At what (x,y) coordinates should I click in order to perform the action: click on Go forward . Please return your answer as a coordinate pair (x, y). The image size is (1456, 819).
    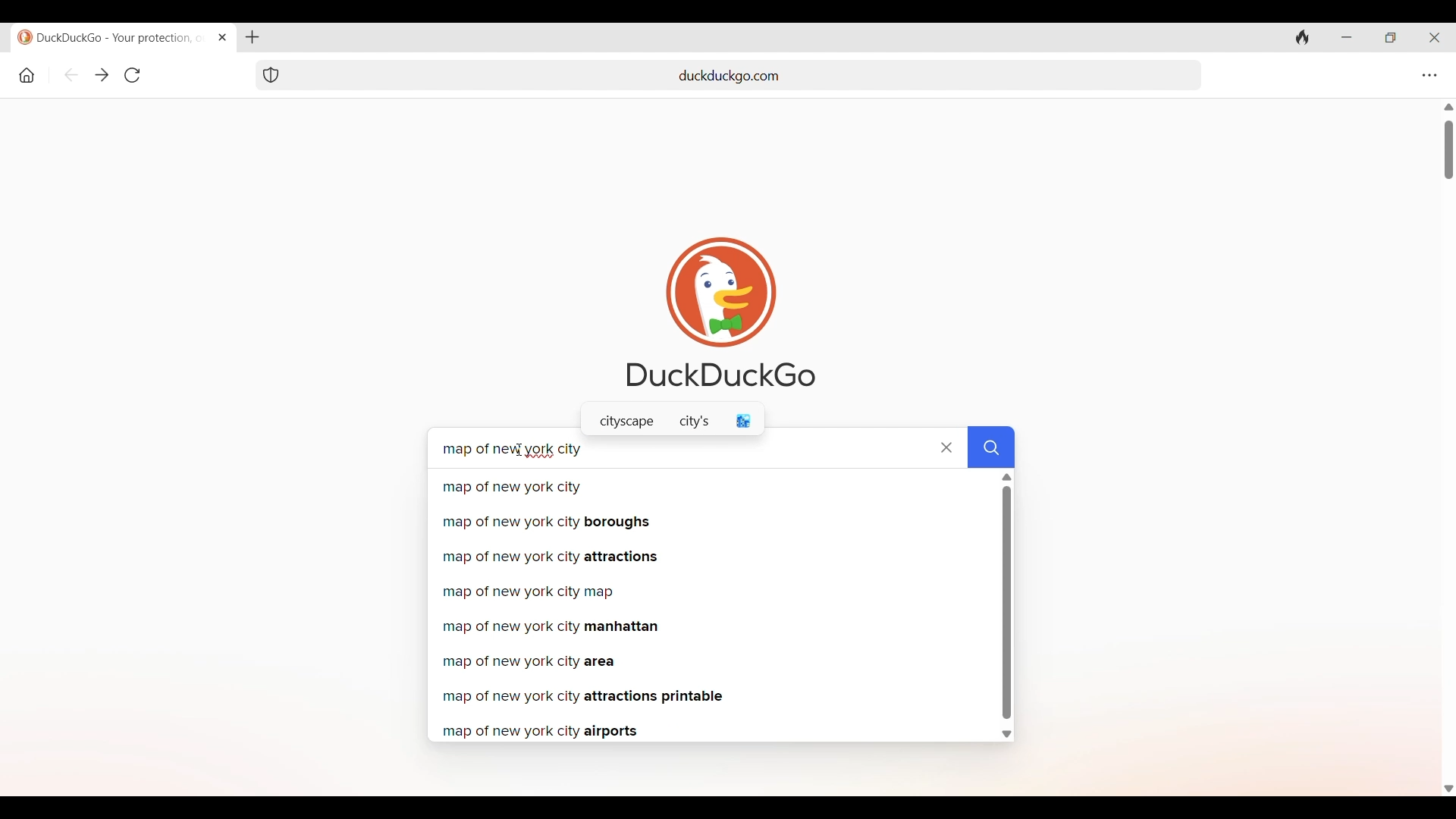
    Looking at the image, I should click on (101, 75).